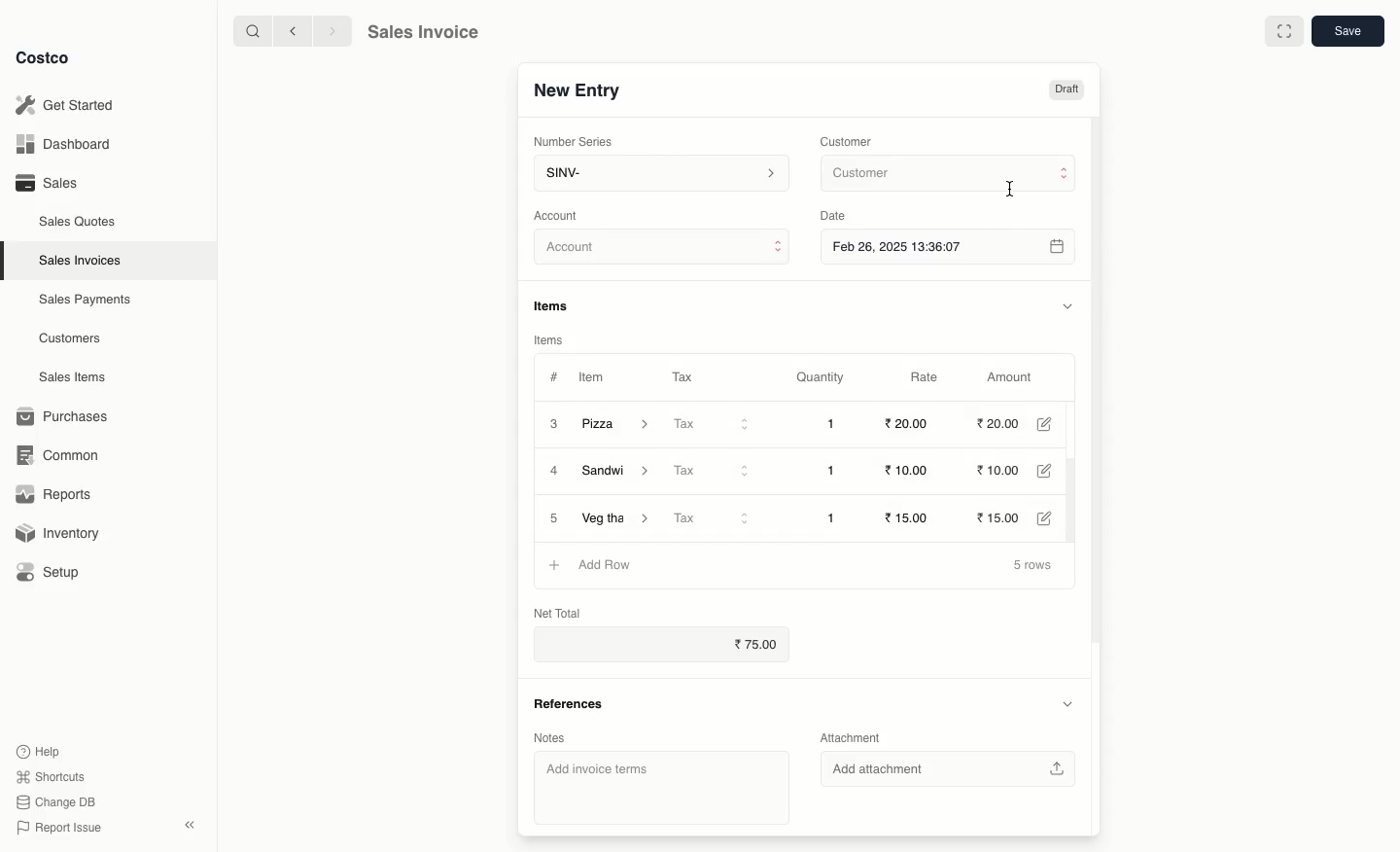 This screenshot has height=852, width=1400. Describe the element at coordinates (1067, 704) in the screenshot. I see `Hide` at that location.